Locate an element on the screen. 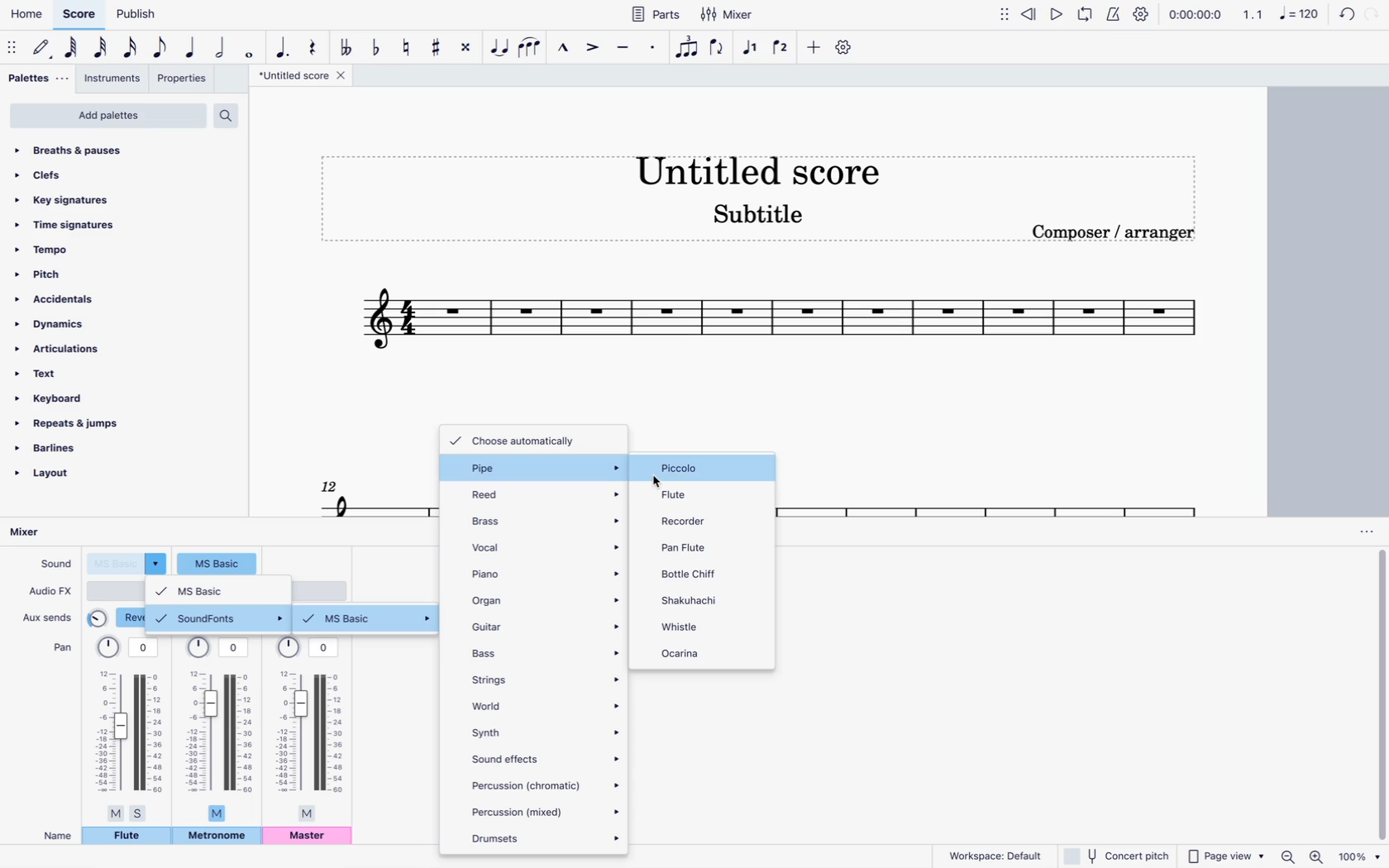 The height and width of the screenshot is (868, 1389). toggle sharp is located at coordinates (439, 45).